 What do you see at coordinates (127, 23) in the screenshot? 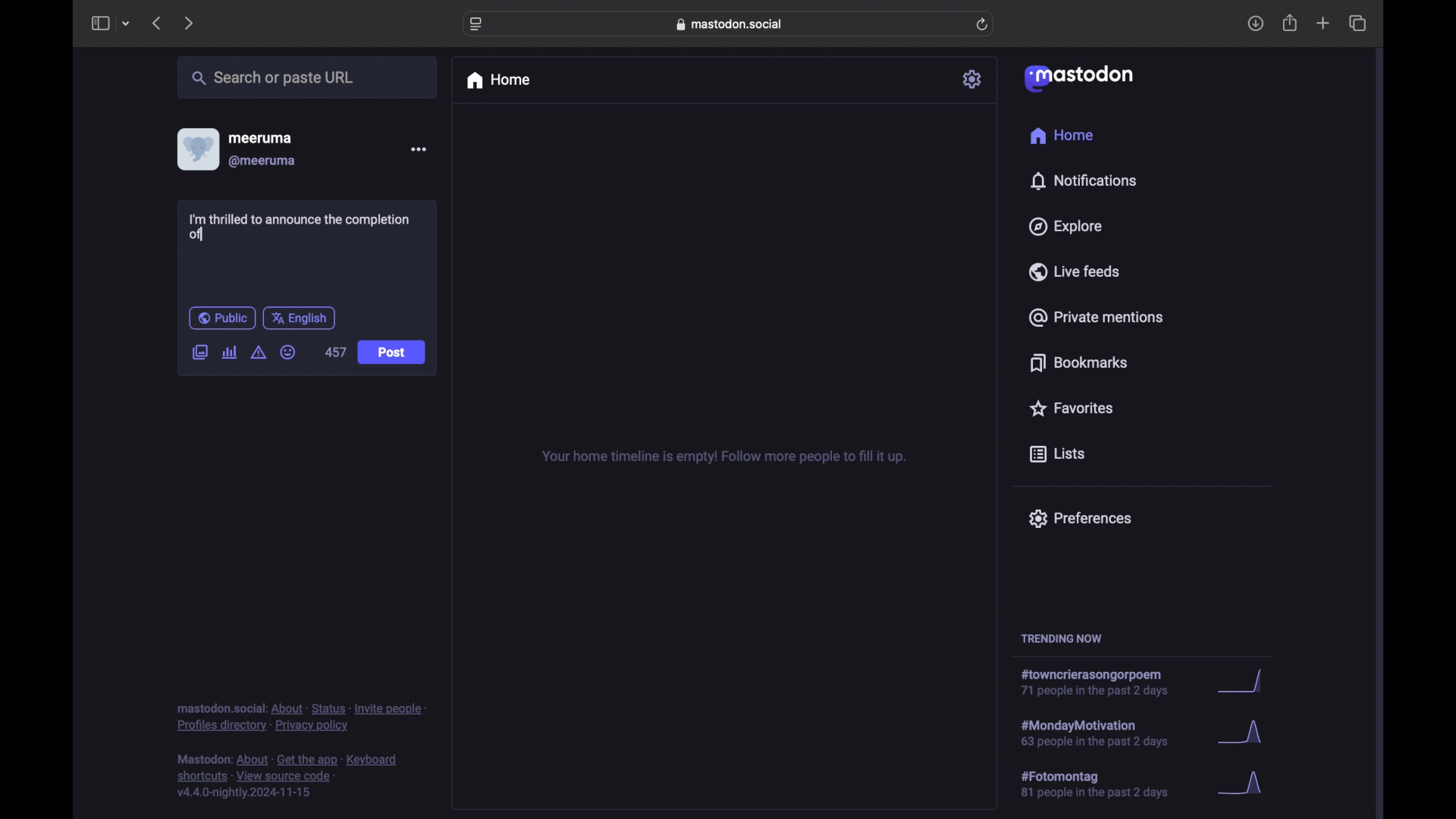
I see `tab group picker` at bounding box center [127, 23].